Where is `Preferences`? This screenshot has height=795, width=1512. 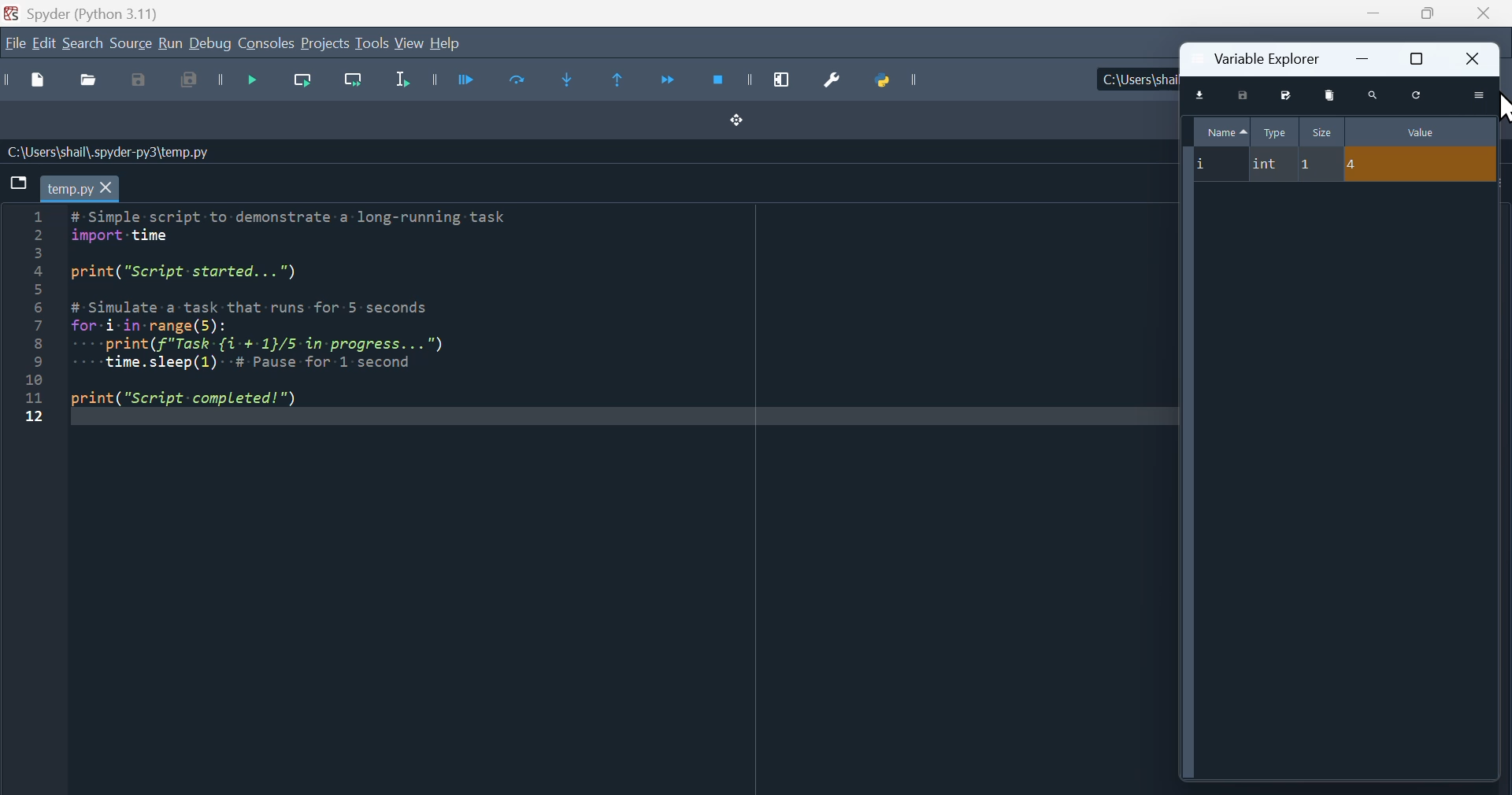 Preferences is located at coordinates (827, 81).